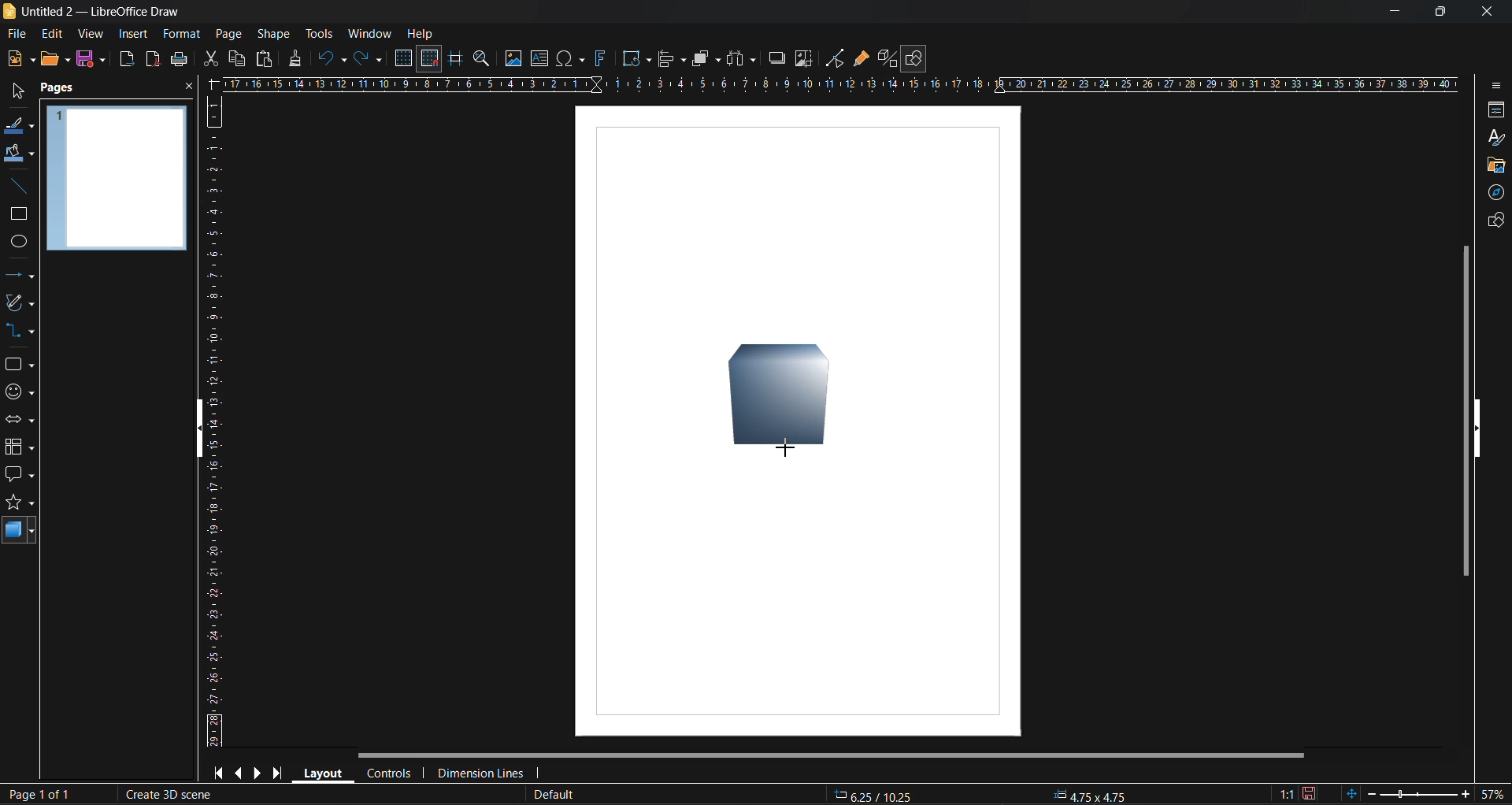 The height and width of the screenshot is (805, 1512). What do you see at coordinates (51, 32) in the screenshot?
I see `edit` at bounding box center [51, 32].